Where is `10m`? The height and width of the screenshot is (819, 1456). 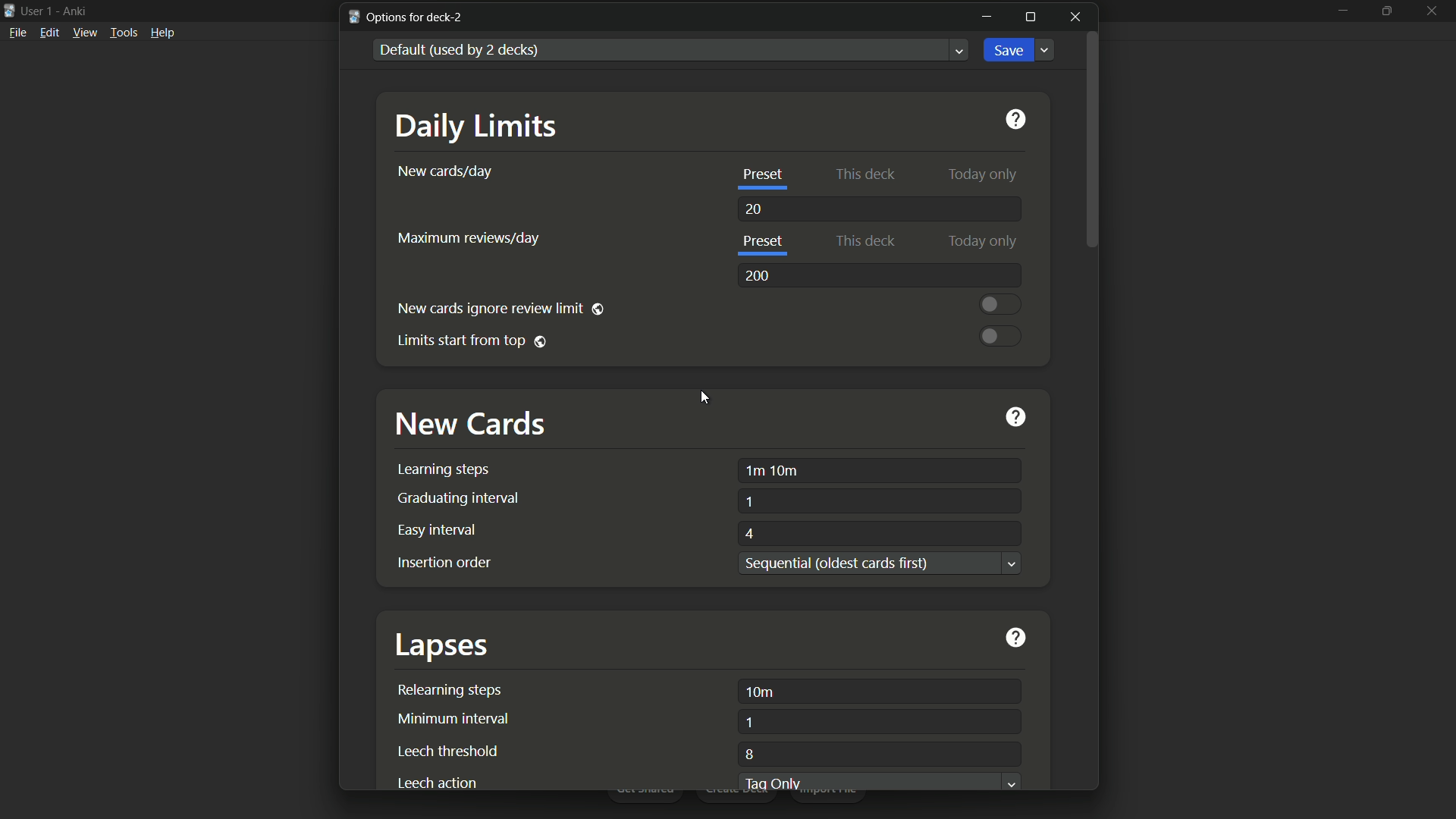
10m is located at coordinates (765, 692).